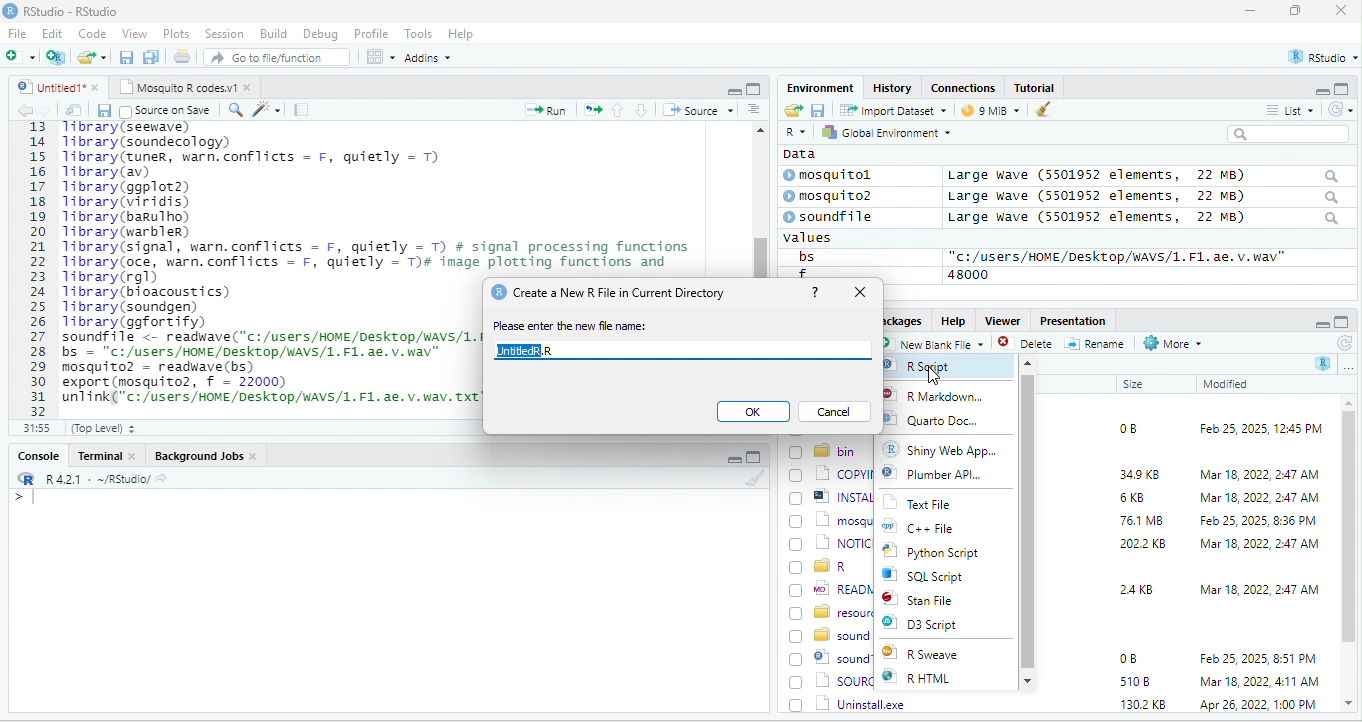 This screenshot has width=1362, height=722. I want to click on RStudio, so click(64, 10).